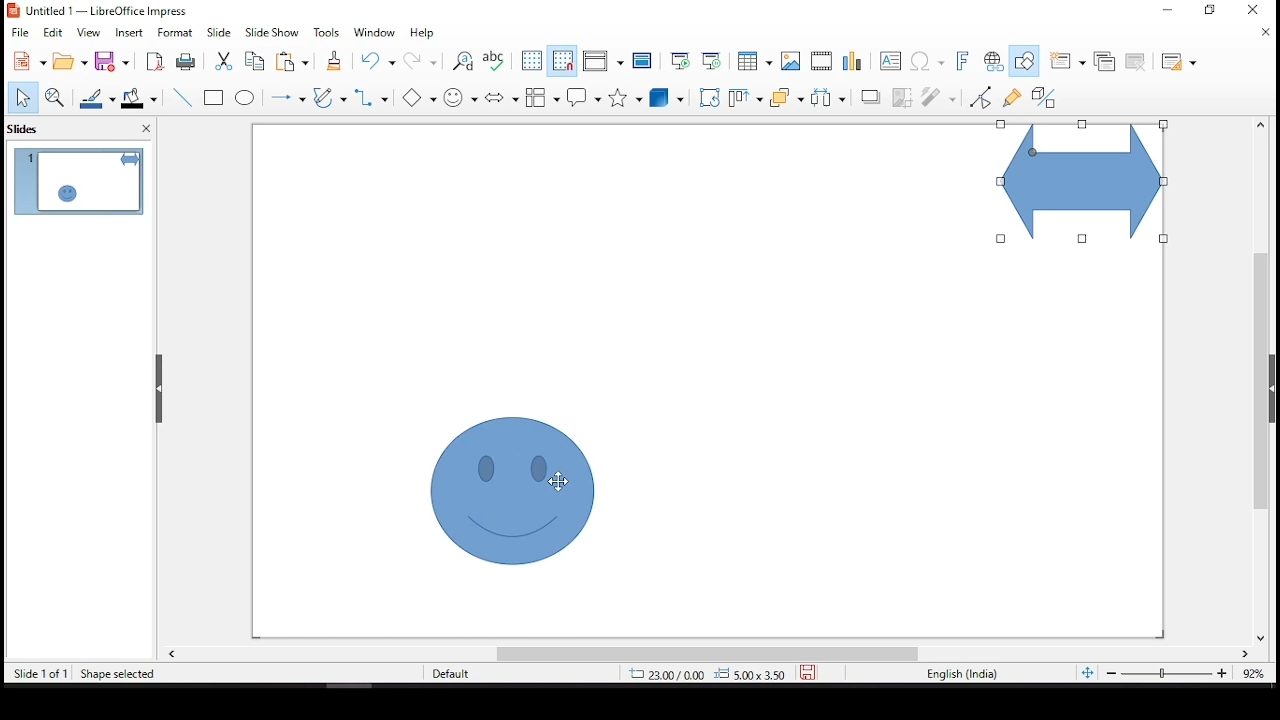  I want to click on delete slide, so click(1139, 62).